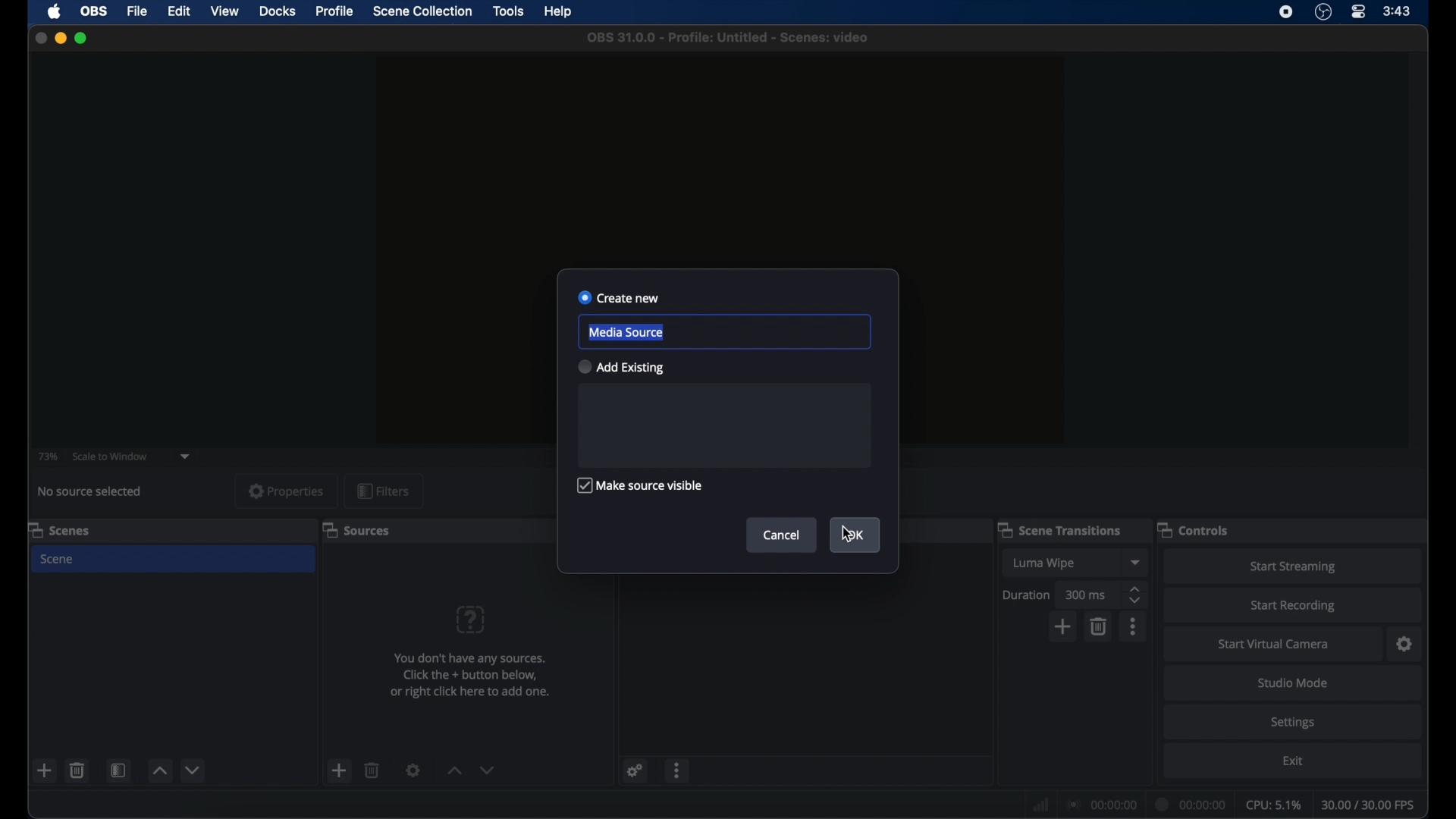 The width and height of the screenshot is (1456, 819). I want to click on obs, so click(94, 11).